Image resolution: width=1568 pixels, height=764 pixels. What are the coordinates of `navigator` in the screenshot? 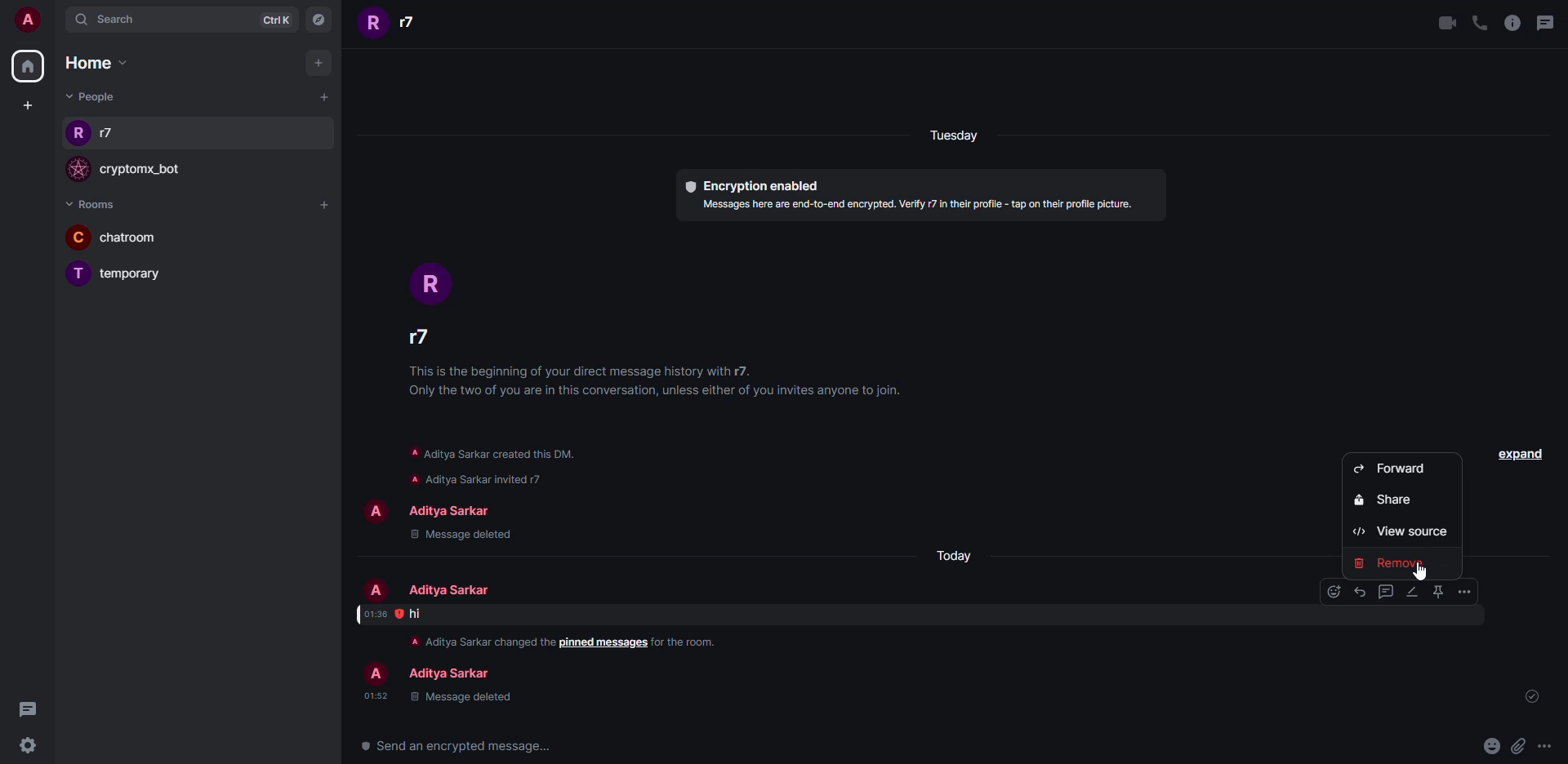 It's located at (316, 23).